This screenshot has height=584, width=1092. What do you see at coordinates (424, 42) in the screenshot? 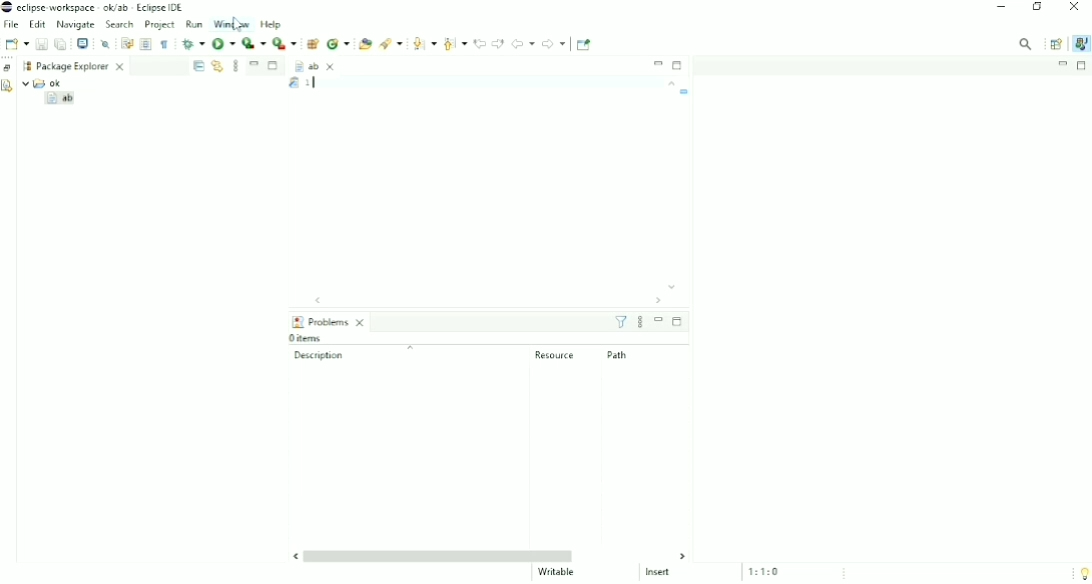
I see `Next Annotation` at bounding box center [424, 42].